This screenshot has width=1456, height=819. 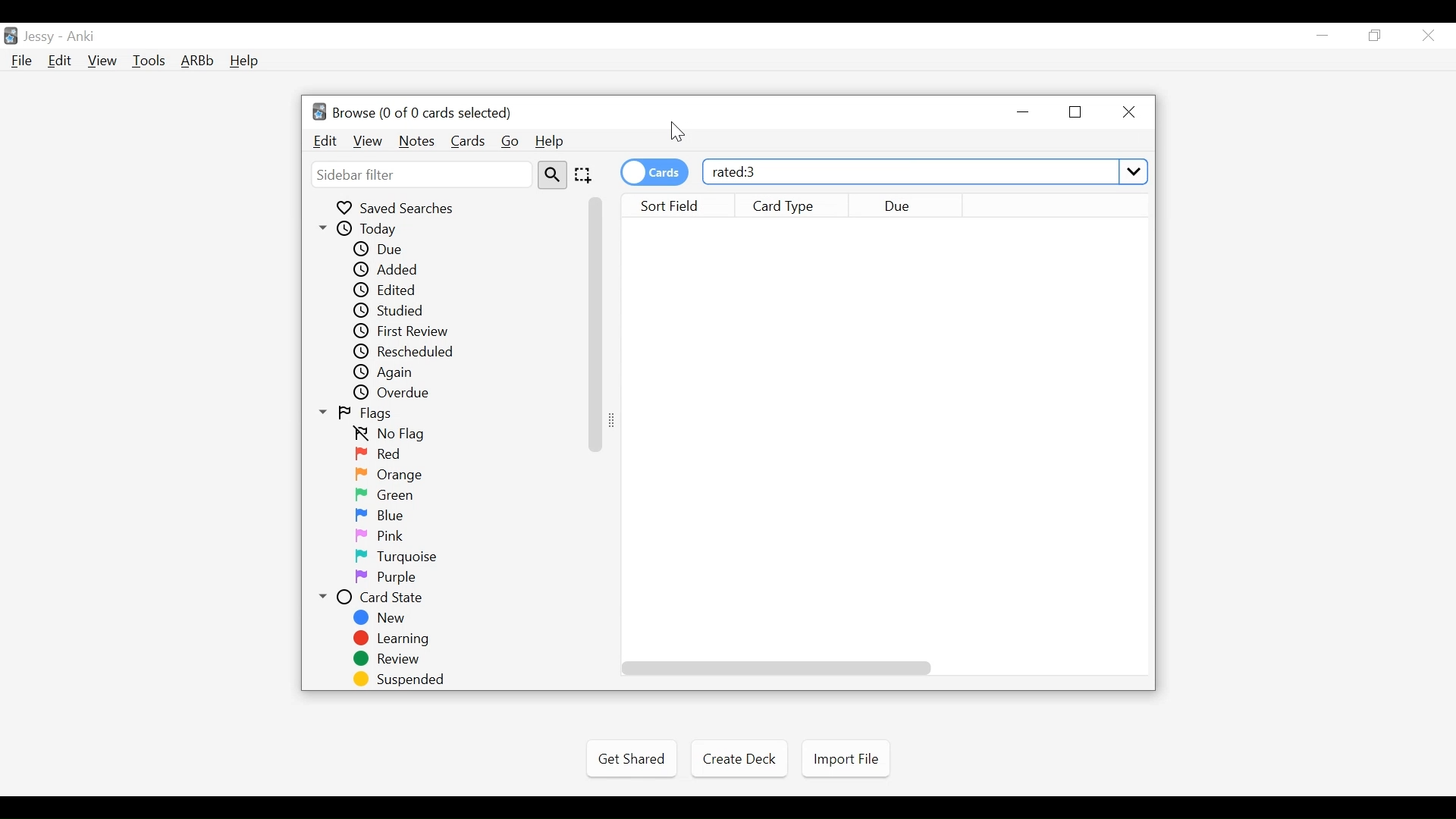 What do you see at coordinates (392, 374) in the screenshot?
I see `Again` at bounding box center [392, 374].